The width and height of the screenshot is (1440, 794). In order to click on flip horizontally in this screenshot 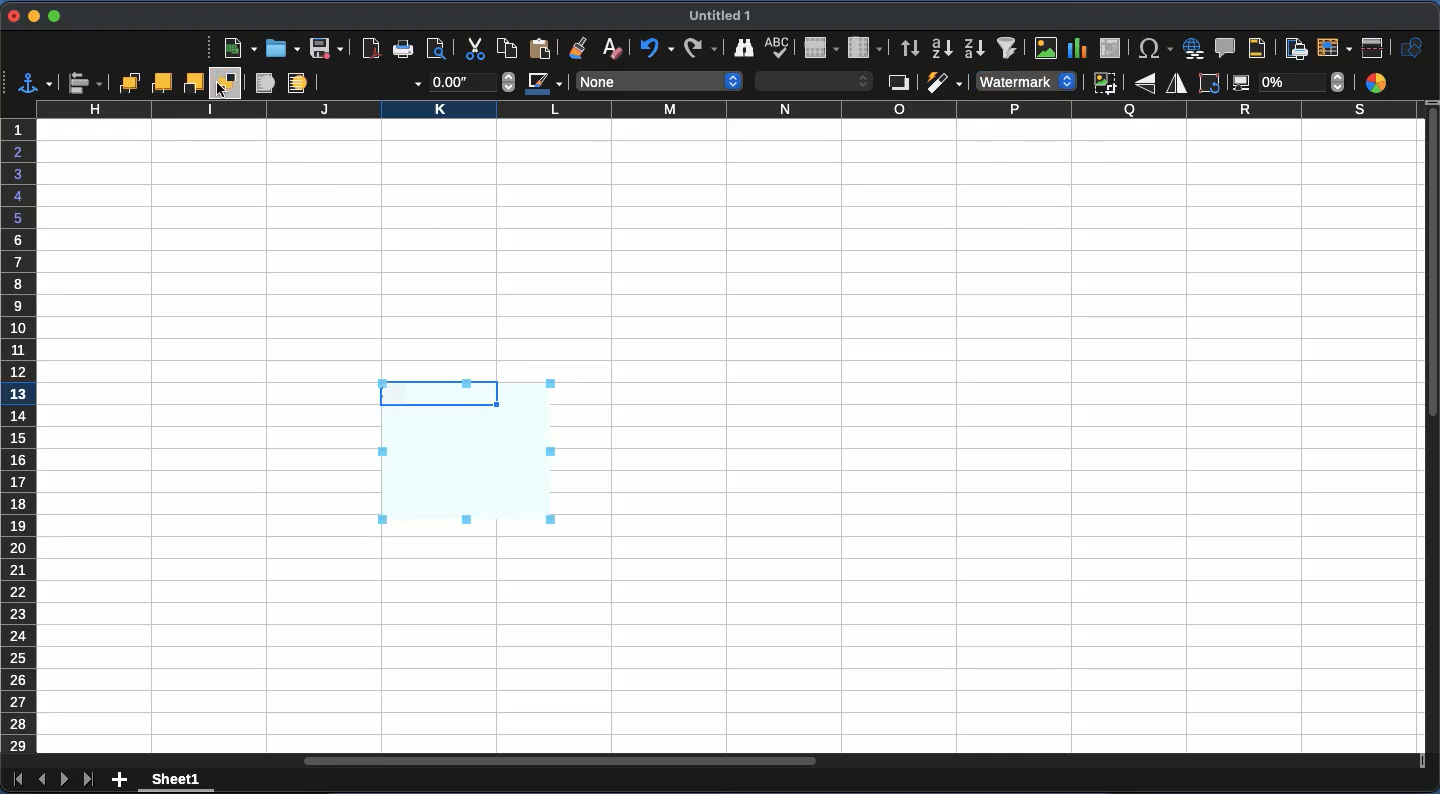, I will do `click(1174, 85)`.